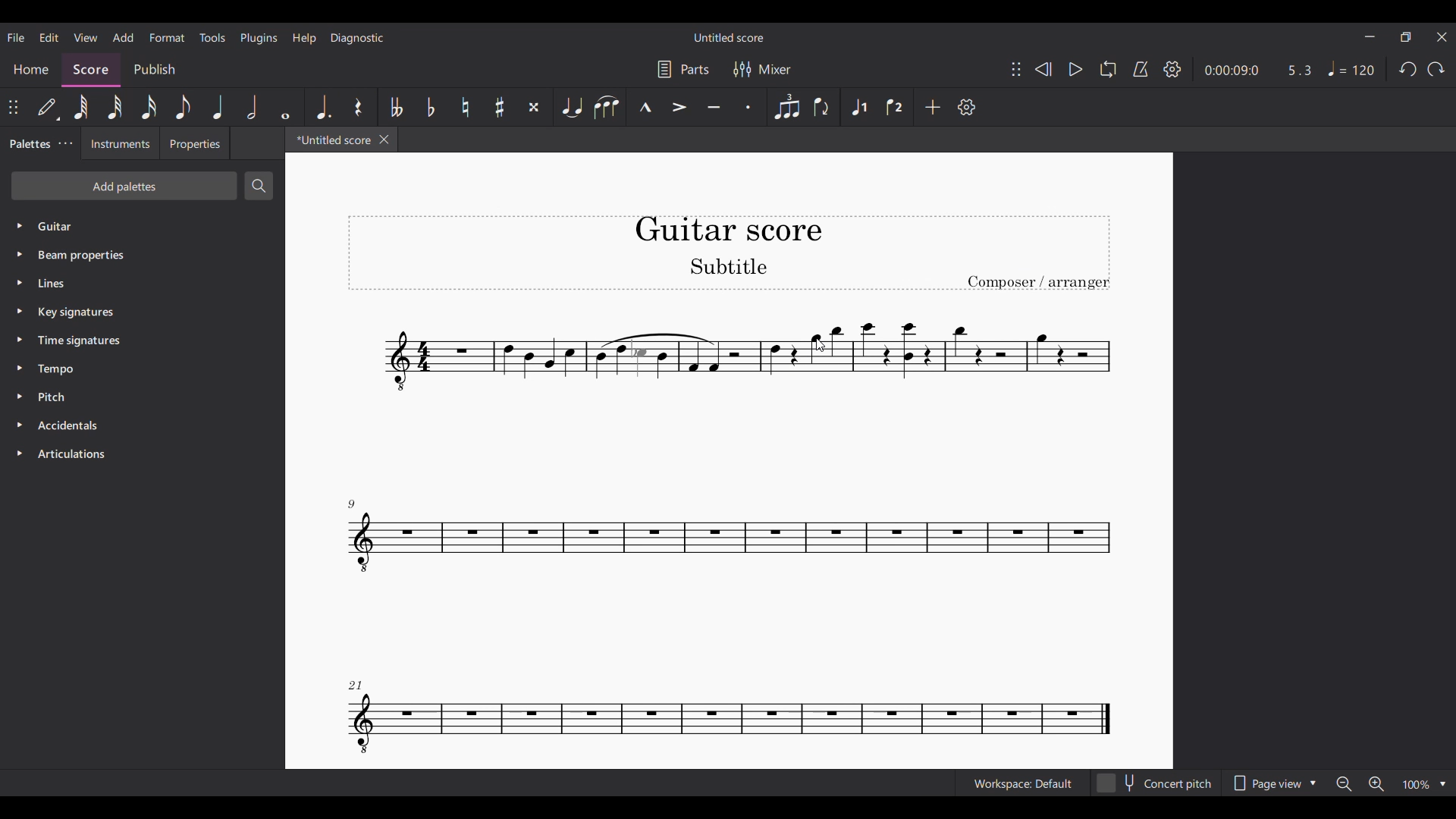  What do you see at coordinates (644, 108) in the screenshot?
I see `Marcato` at bounding box center [644, 108].